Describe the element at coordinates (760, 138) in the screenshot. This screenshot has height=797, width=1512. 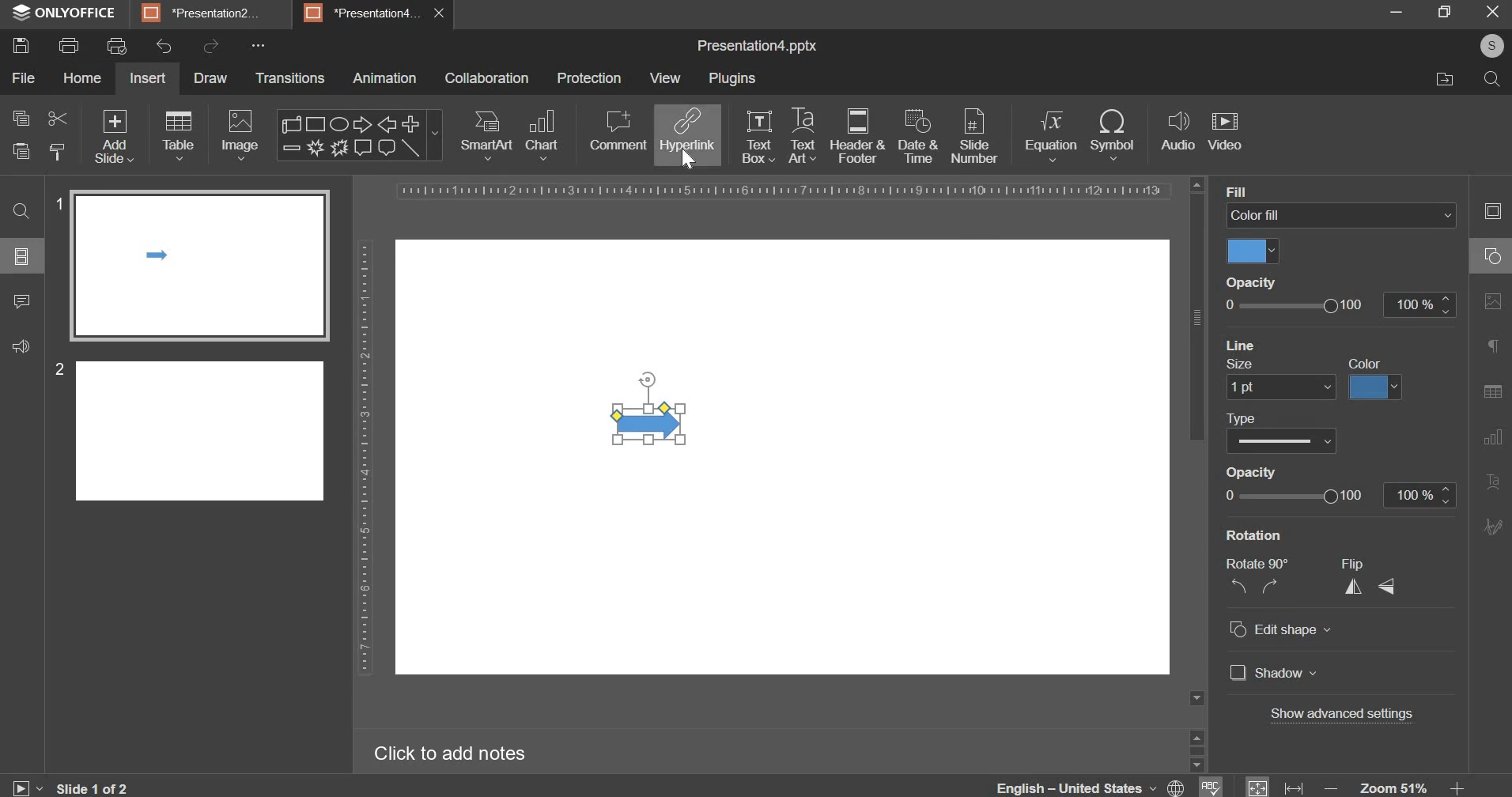
I see `text box` at that location.